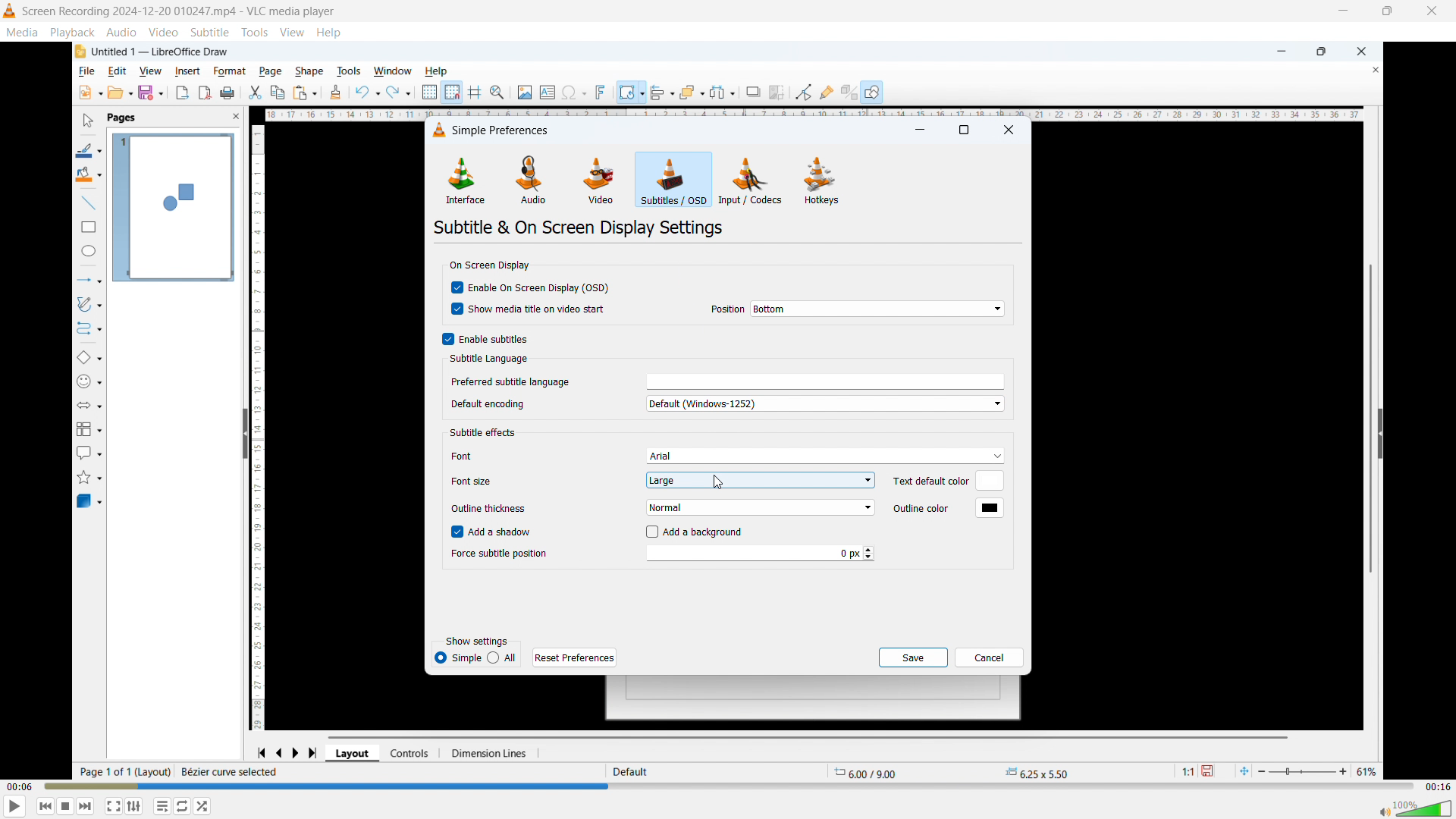 The image size is (1456, 819). Describe the element at coordinates (759, 553) in the screenshot. I see `Force subtitle position` at that location.